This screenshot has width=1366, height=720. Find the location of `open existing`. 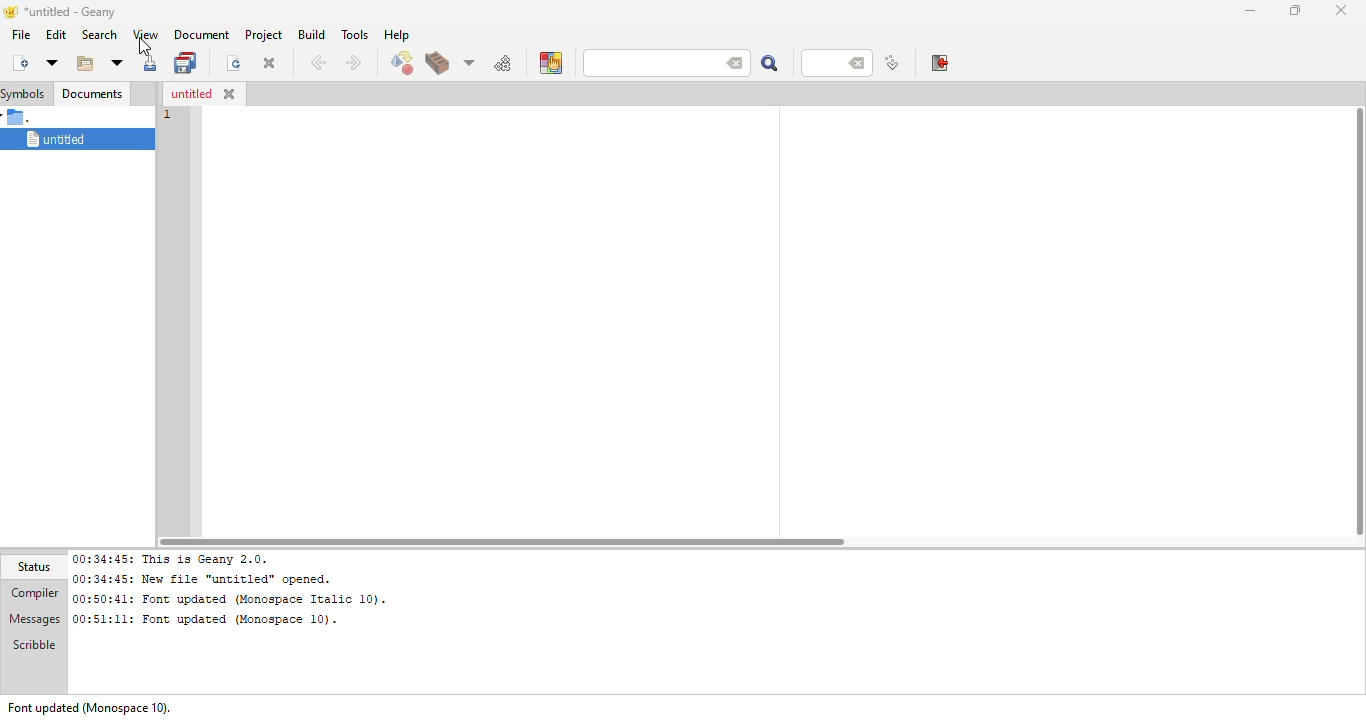

open existing is located at coordinates (83, 63).